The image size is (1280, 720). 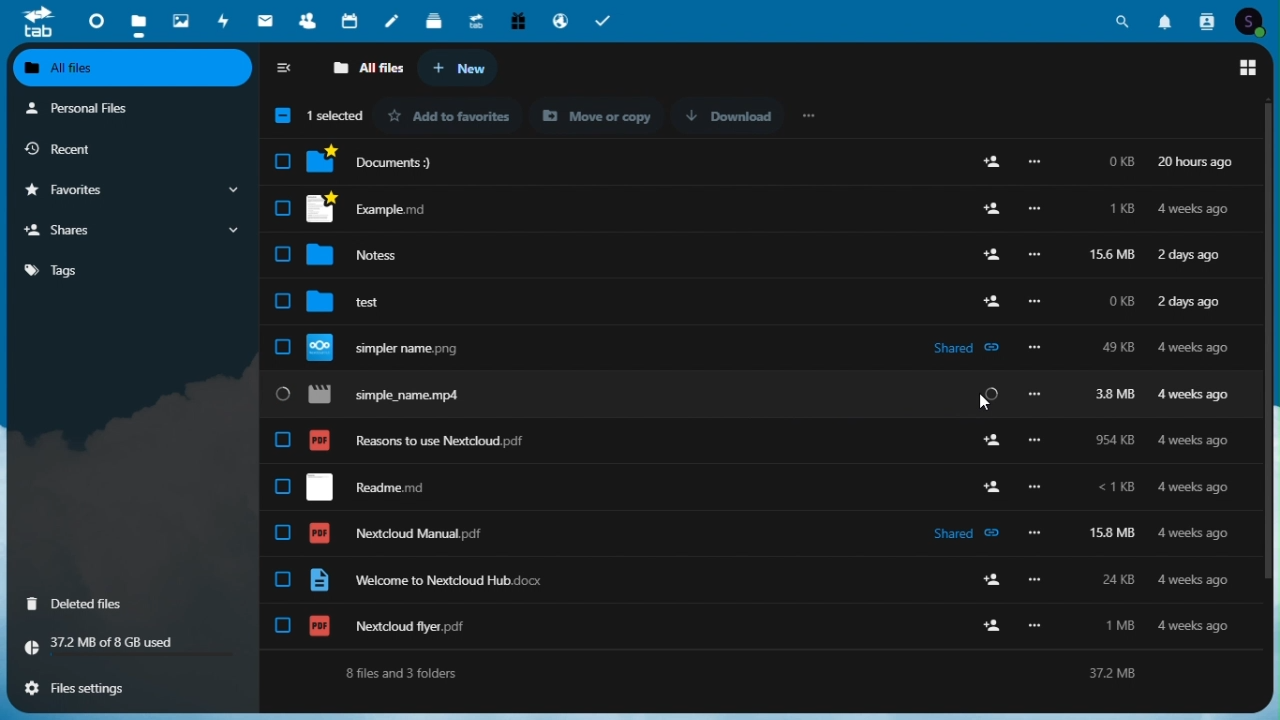 What do you see at coordinates (88, 603) in the screenshot?
I see `Deleted files` at bounding box center [88, 603].